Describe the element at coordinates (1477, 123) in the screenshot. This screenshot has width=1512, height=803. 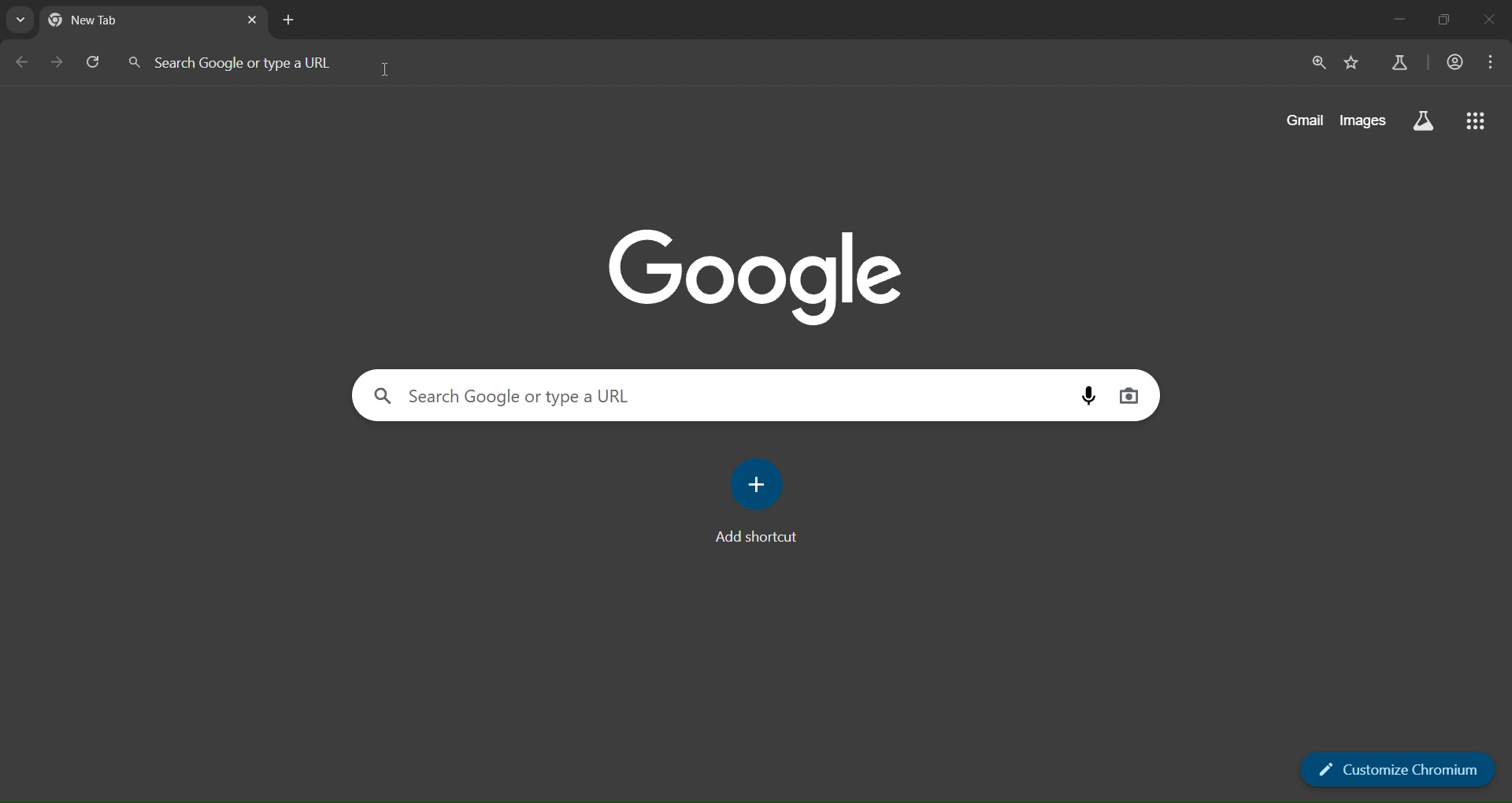
I see `apps` at that location.